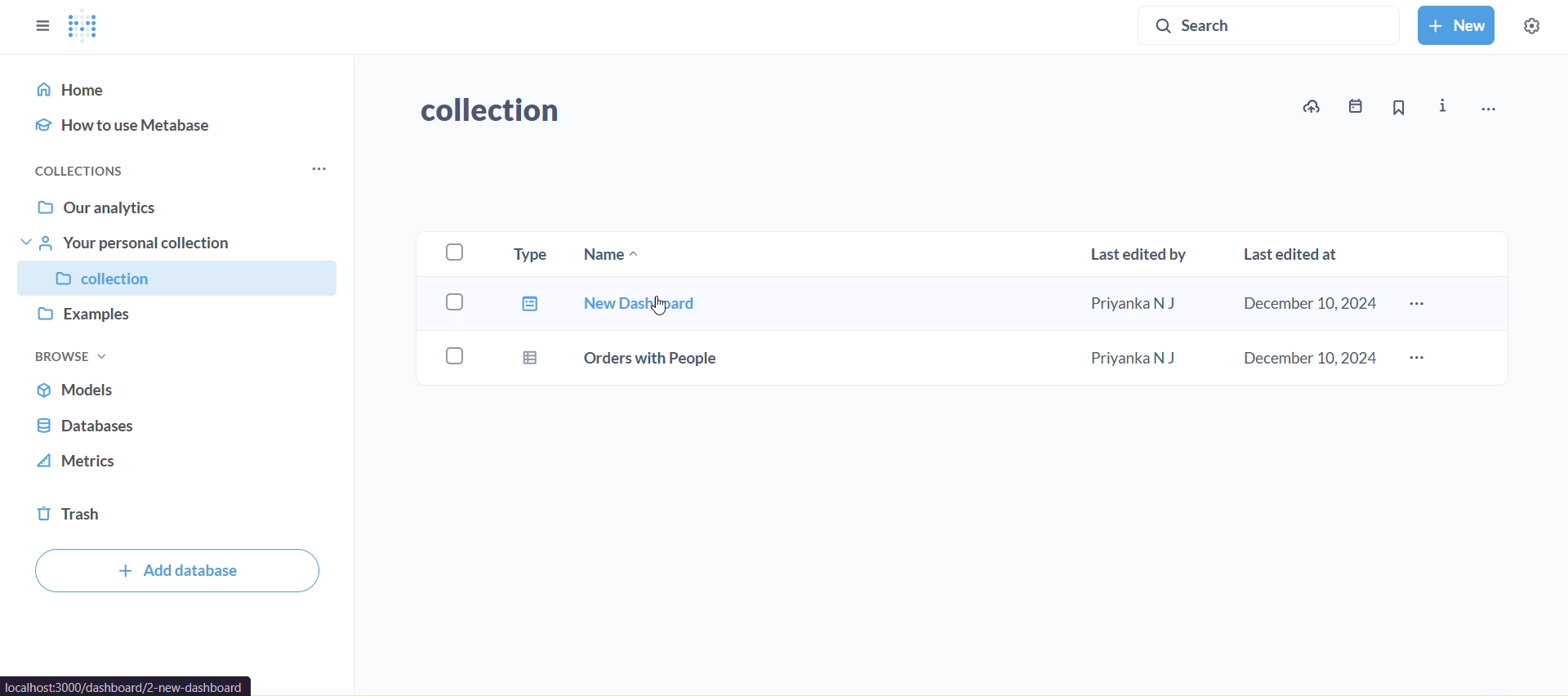 The width and height of the screenshot is (1568, 696). Describe the element at coordinates (180, 209) in the screenshot. I see `our analytics` at that location.